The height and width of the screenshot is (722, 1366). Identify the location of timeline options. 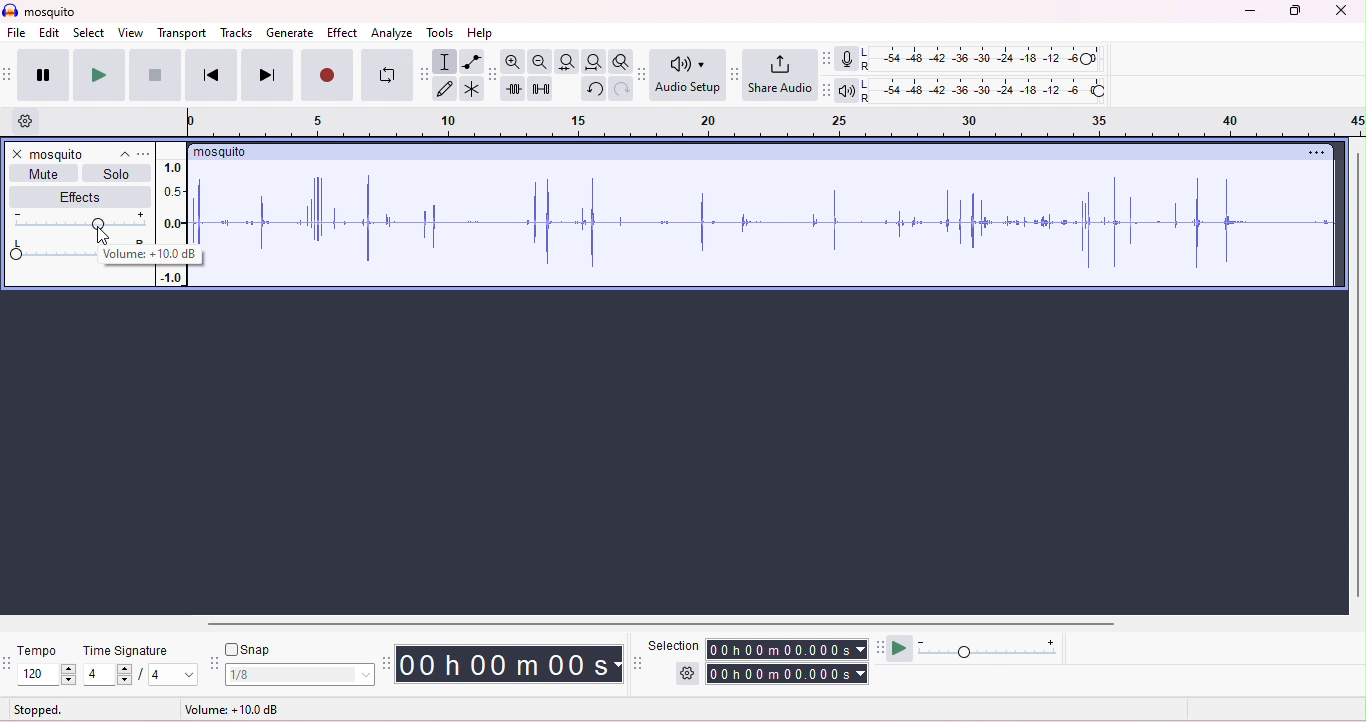
(35, 123).